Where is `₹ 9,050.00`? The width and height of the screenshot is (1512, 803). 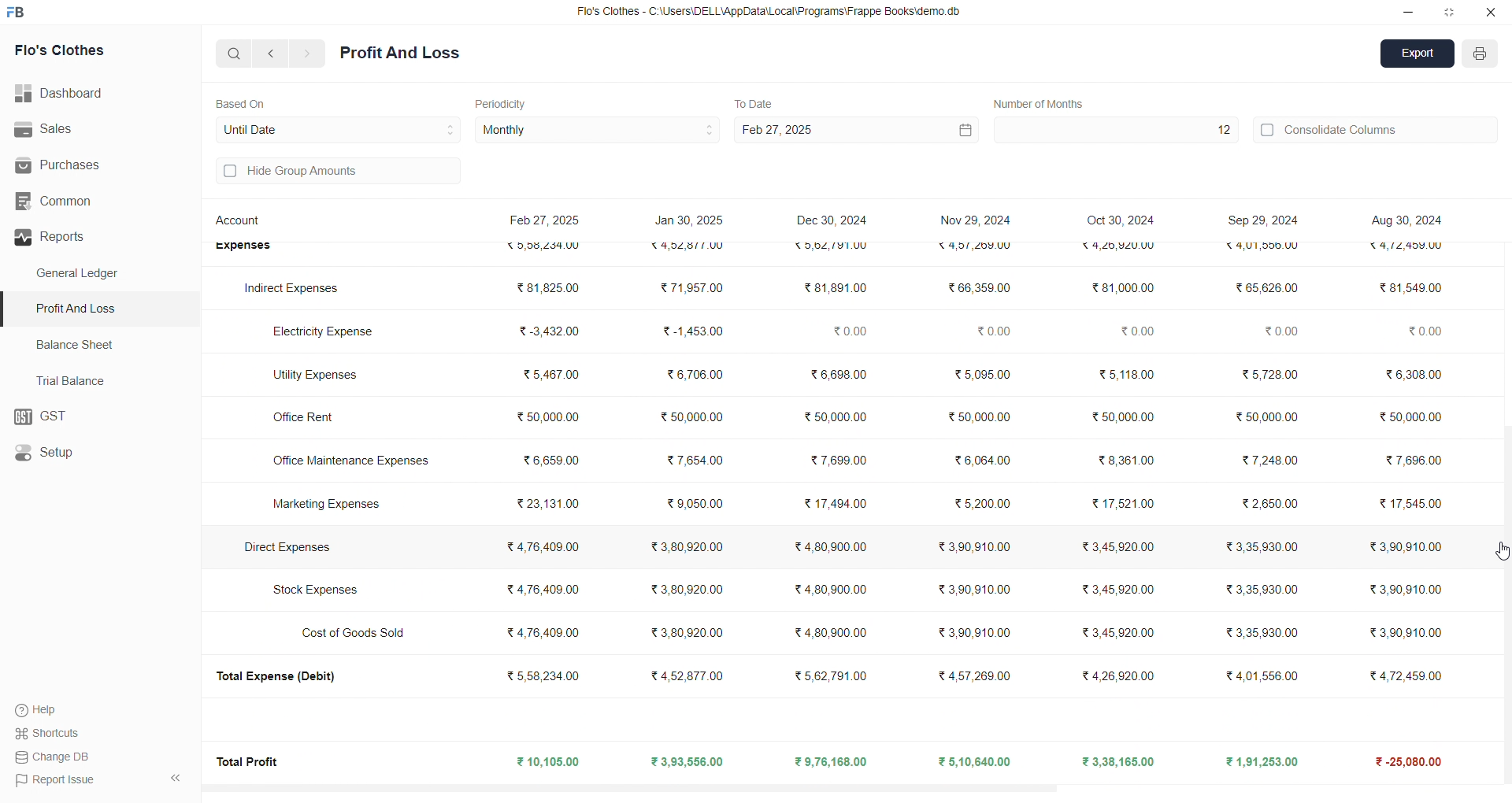
₹ 9,050.00 is located at coordinates (685, 504).